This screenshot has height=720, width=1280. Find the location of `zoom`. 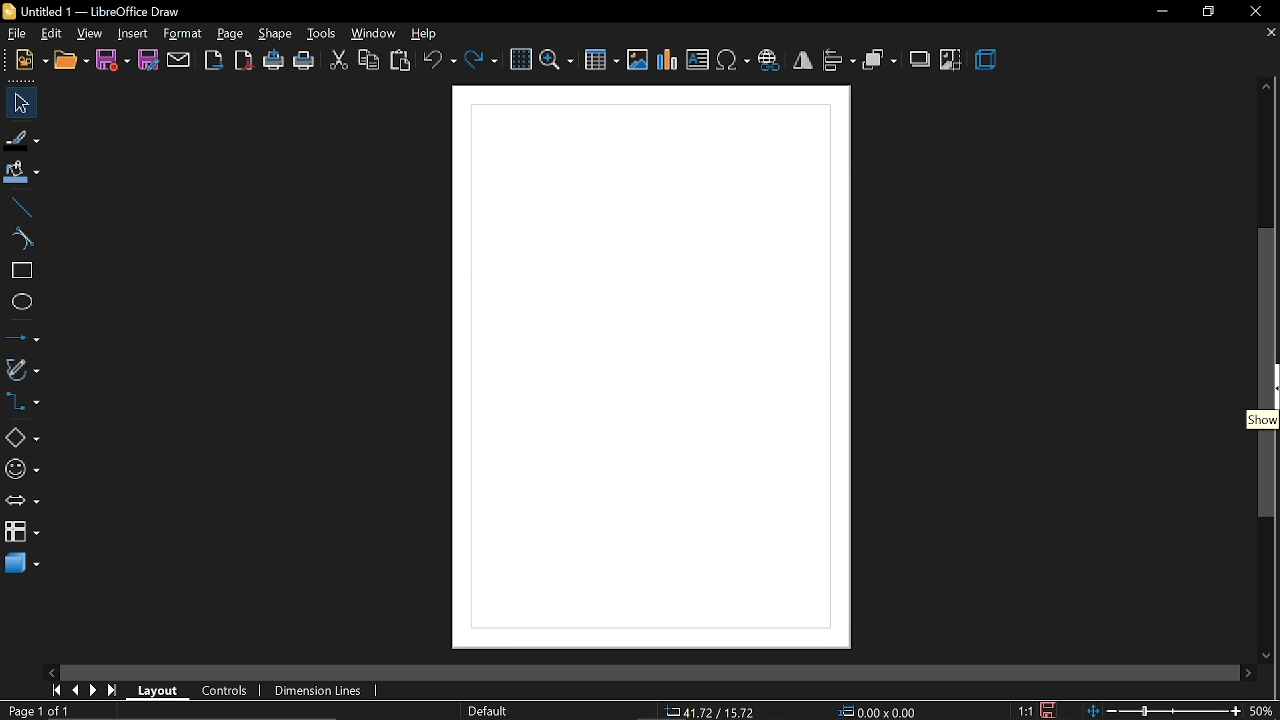

zoom is located at coordinates (557, 59).